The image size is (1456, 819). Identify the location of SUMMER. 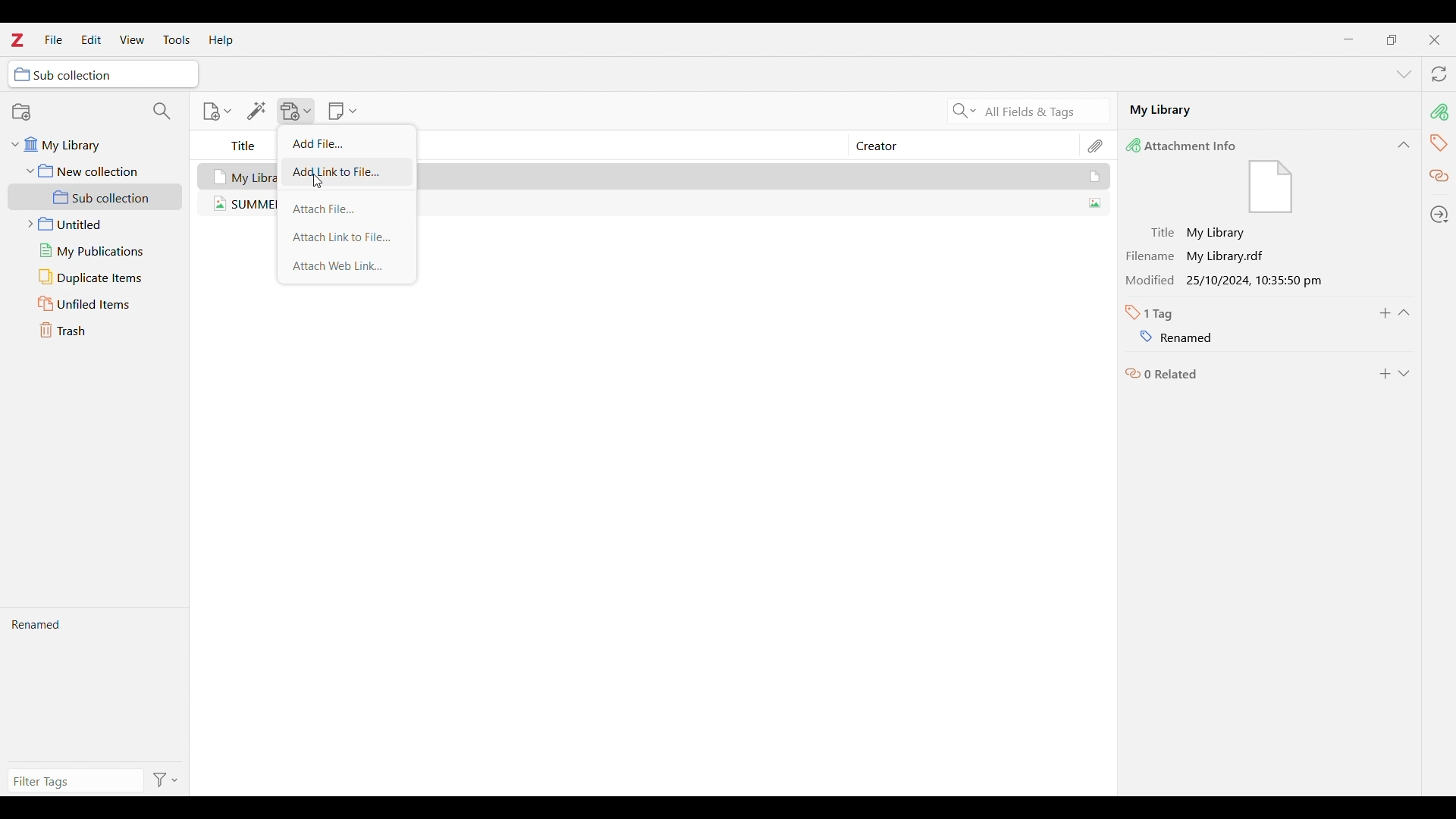
(243, 206).